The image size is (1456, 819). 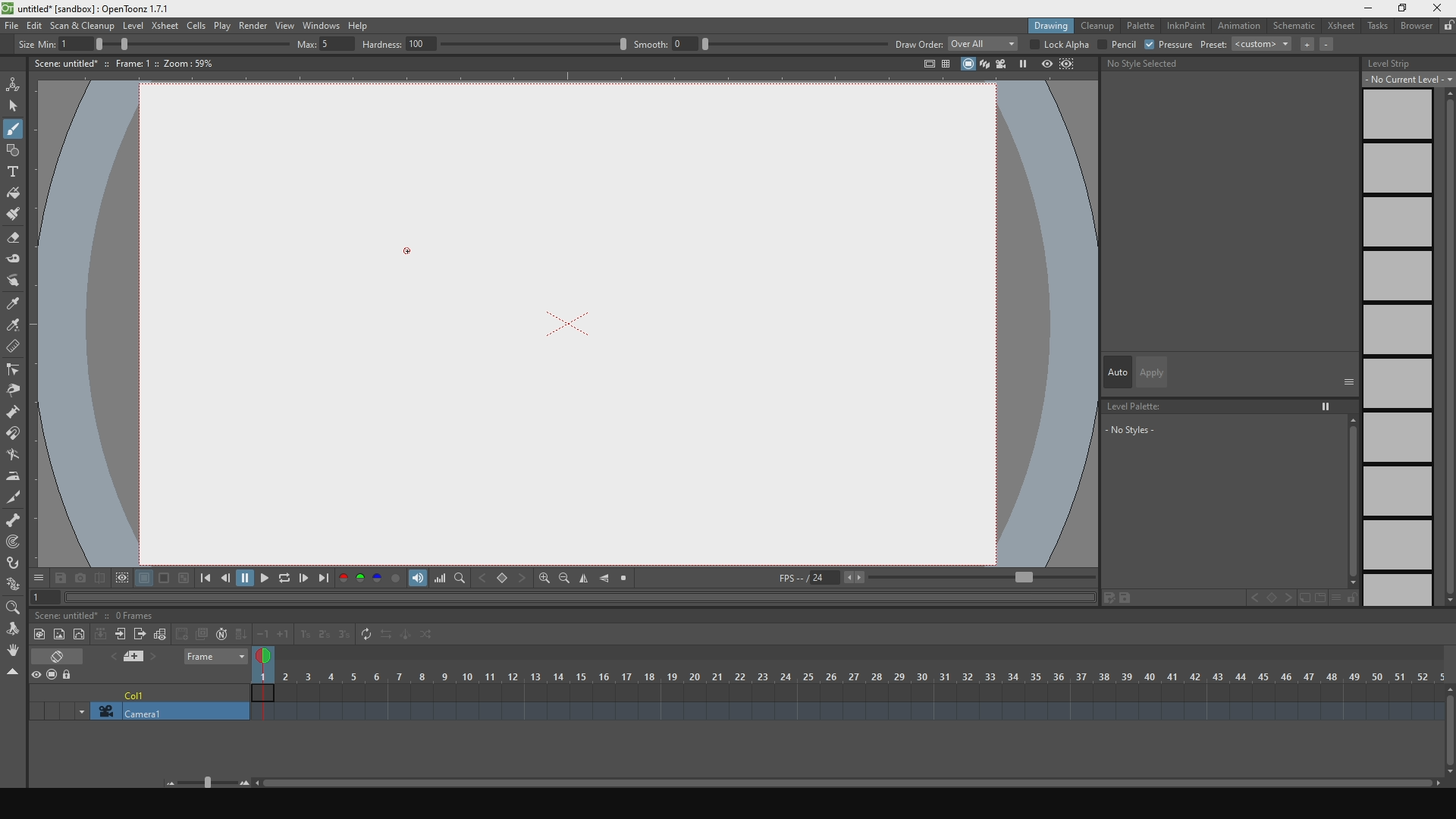 What do you see at coordinates (38, 674) in the screenshot?
I see `preview` at bounding box center [38, 674].